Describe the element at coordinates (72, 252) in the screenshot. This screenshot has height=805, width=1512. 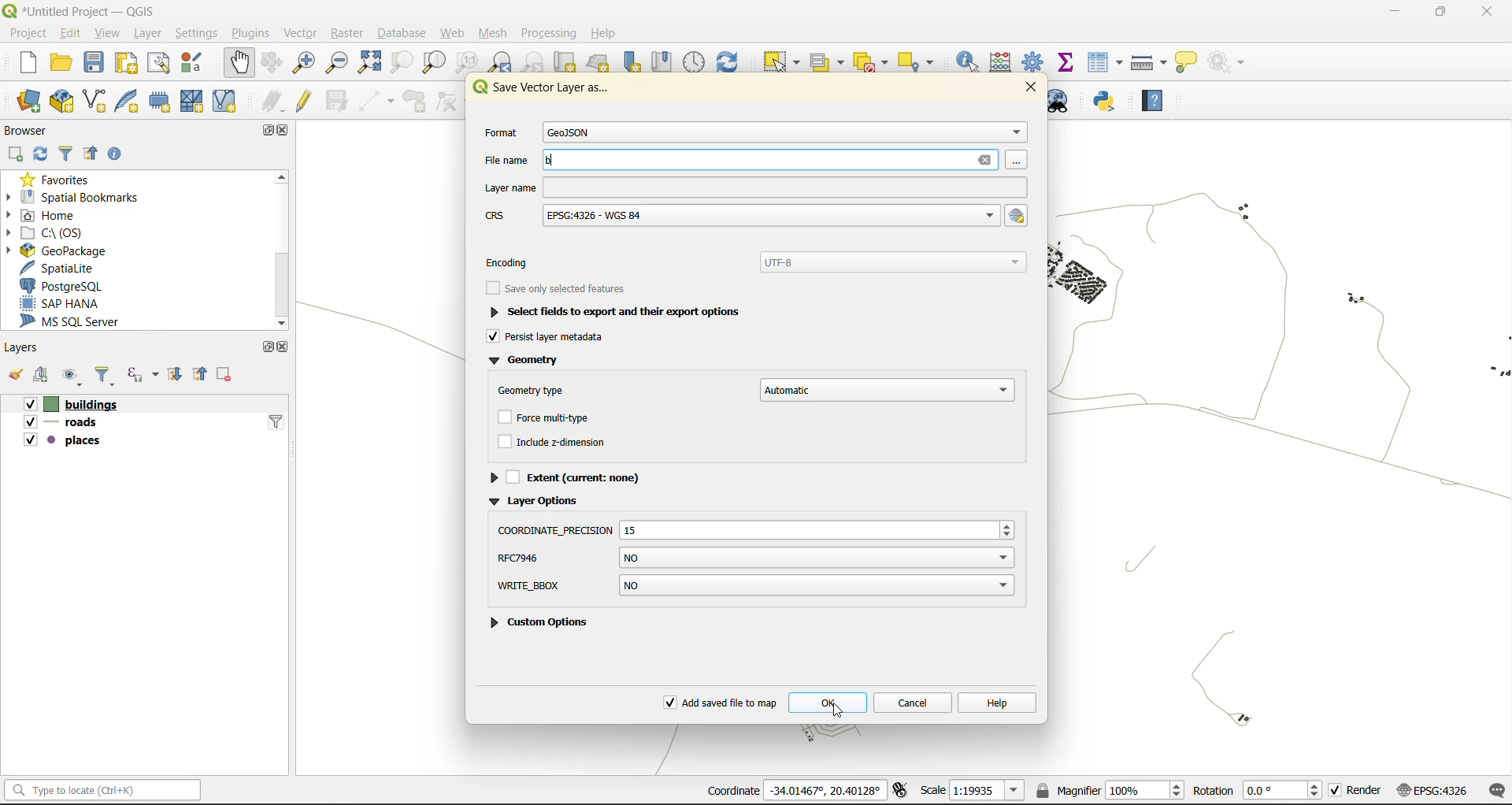
I see `geopackage` at that location.